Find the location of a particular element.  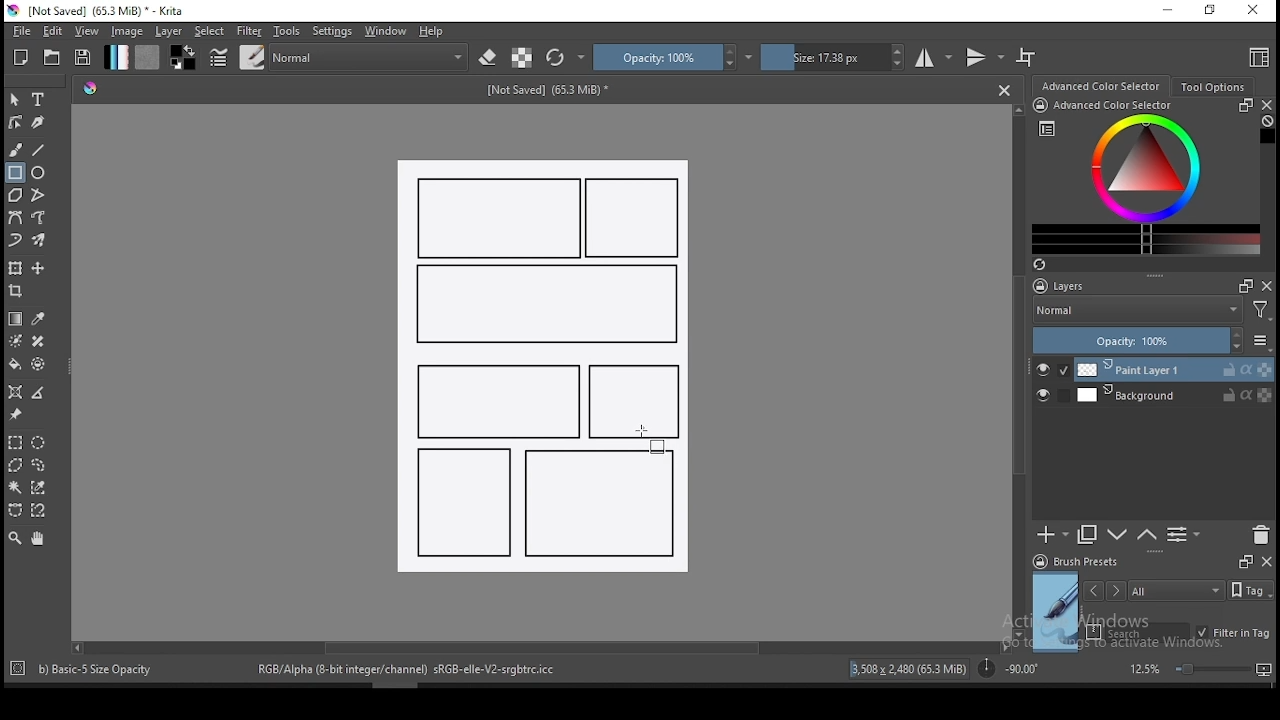

rotation is located at coordinates (1008, 667).